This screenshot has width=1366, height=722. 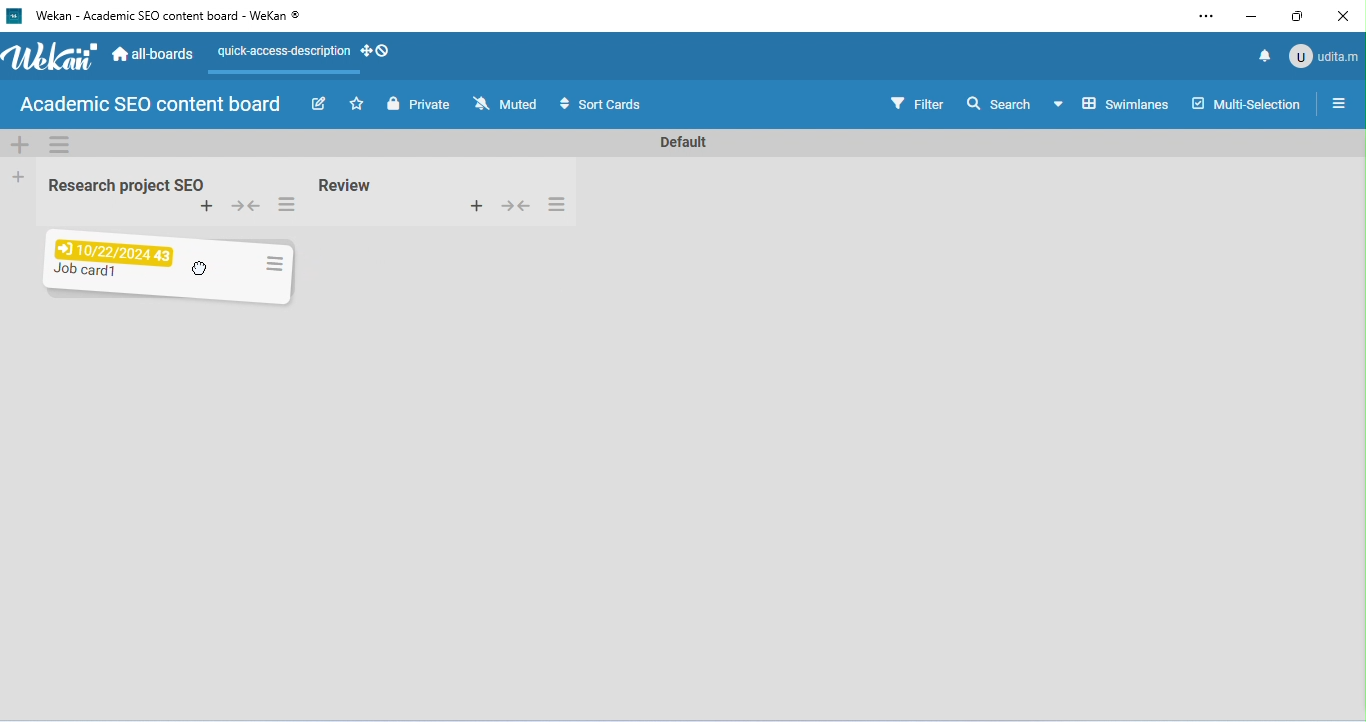 What do you see at coordinates (20, 144) in the screenshot?
I see `add swimelane` at bounding box center [20, 144].